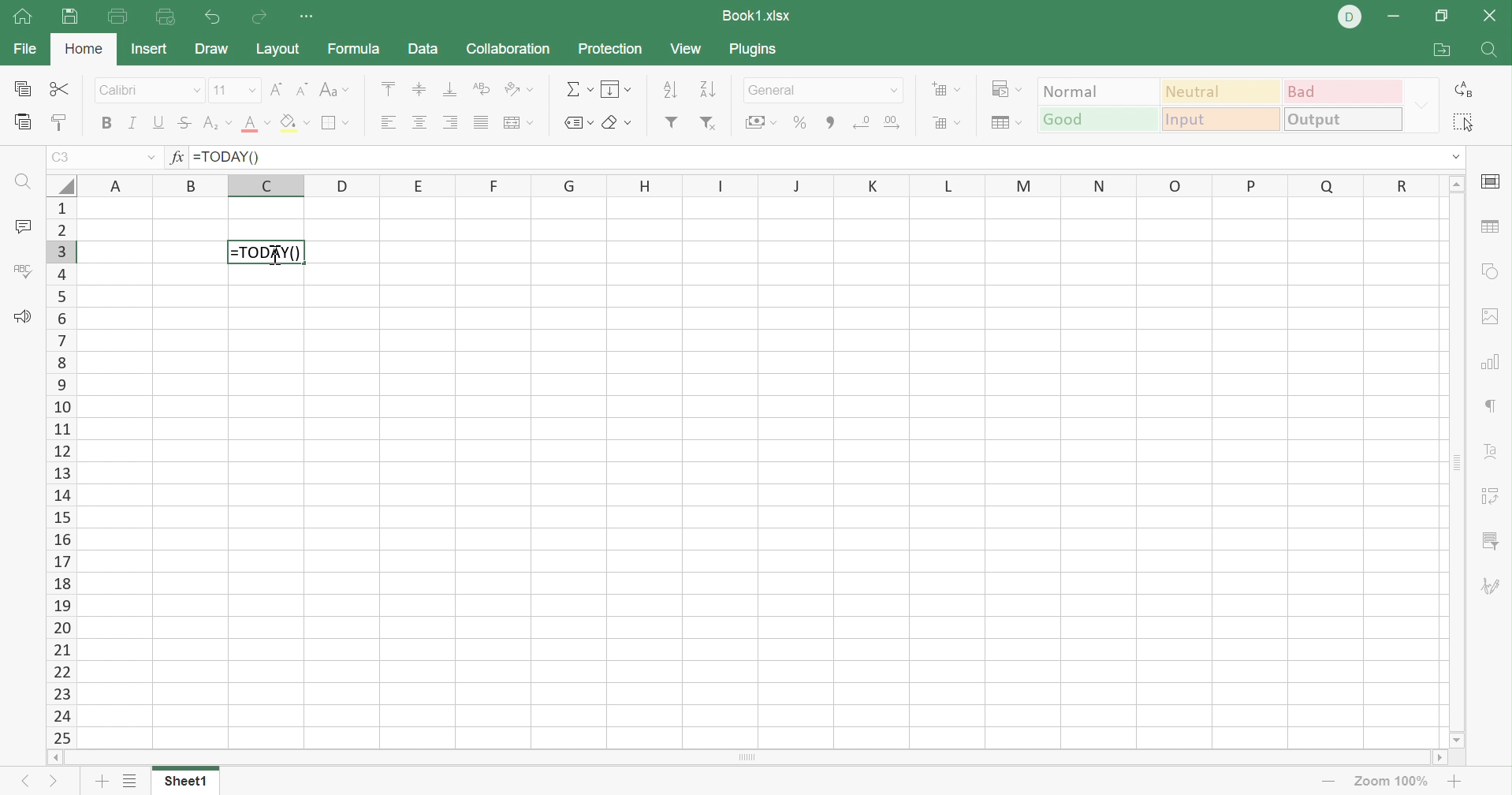 The width and height of the screenshot is (1512, 795). What do you see at coordinates (479, 89) in the screenshot?
I see `Wrap Text` at bounding box center [479, 89].